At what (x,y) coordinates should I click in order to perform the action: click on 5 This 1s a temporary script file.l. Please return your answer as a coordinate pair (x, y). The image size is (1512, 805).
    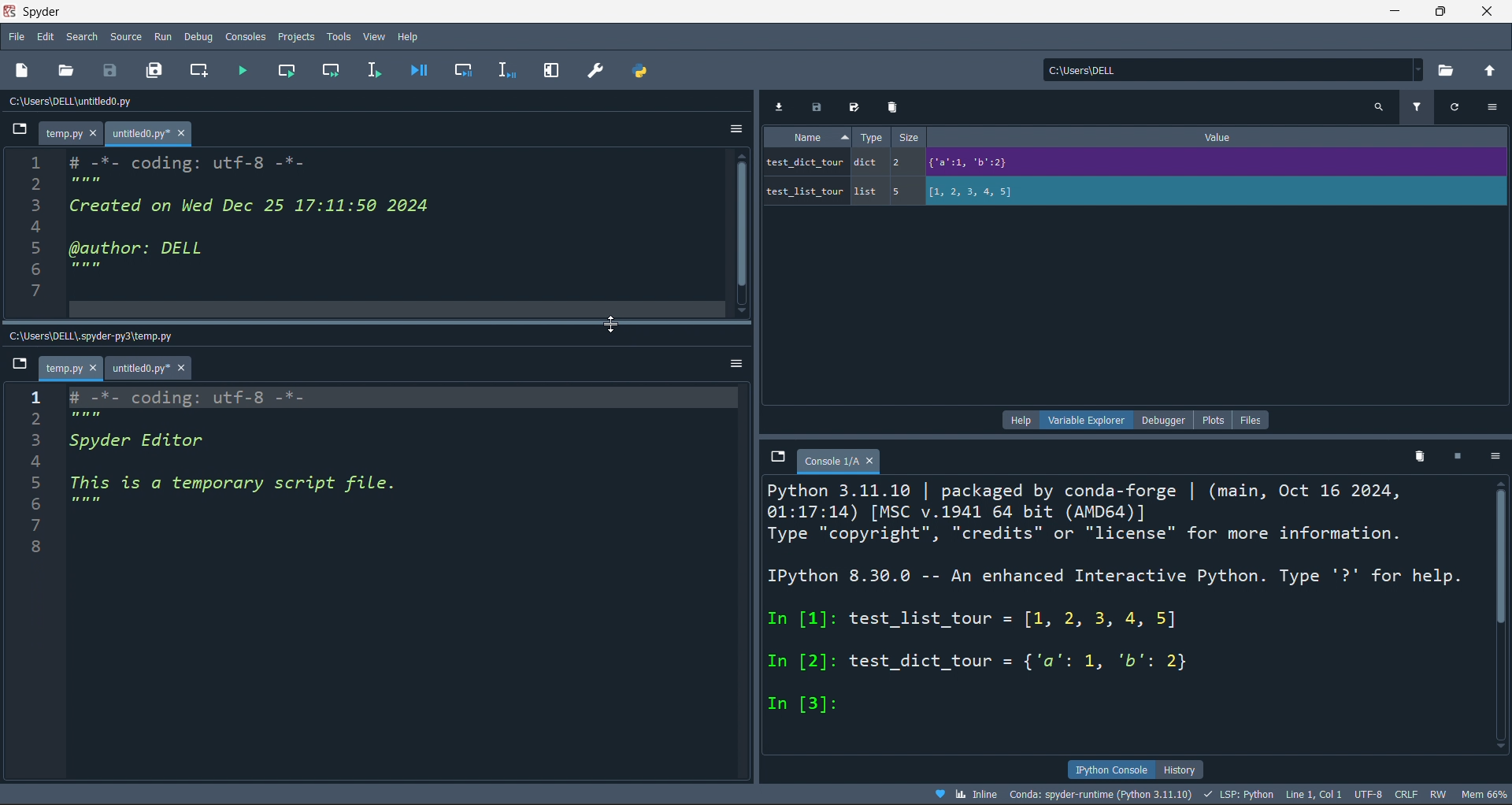
    Looking at the image, I should click on (243, 486).